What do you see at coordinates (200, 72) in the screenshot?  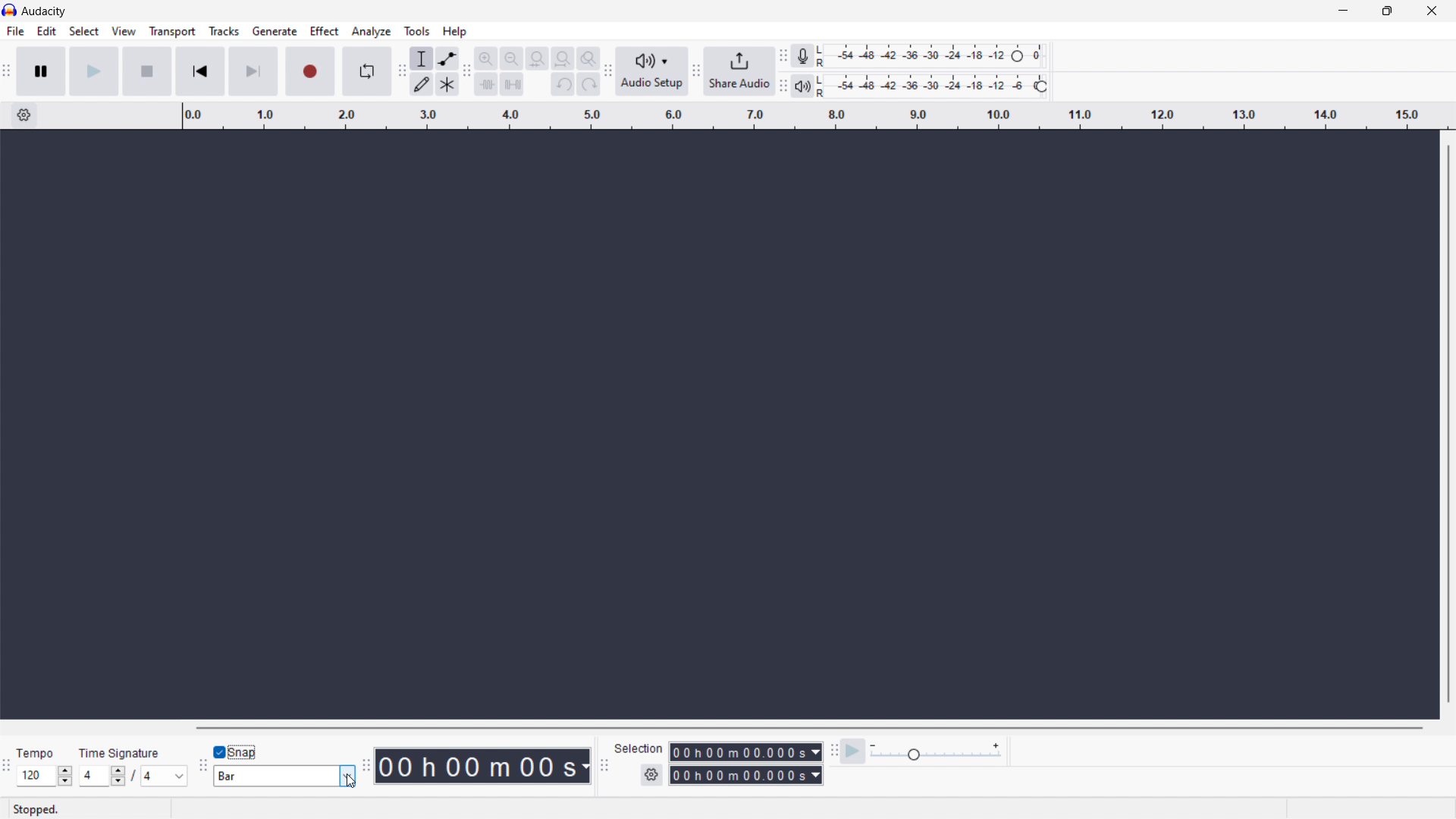 I see `skip to start` at bounding box center [200, 72].